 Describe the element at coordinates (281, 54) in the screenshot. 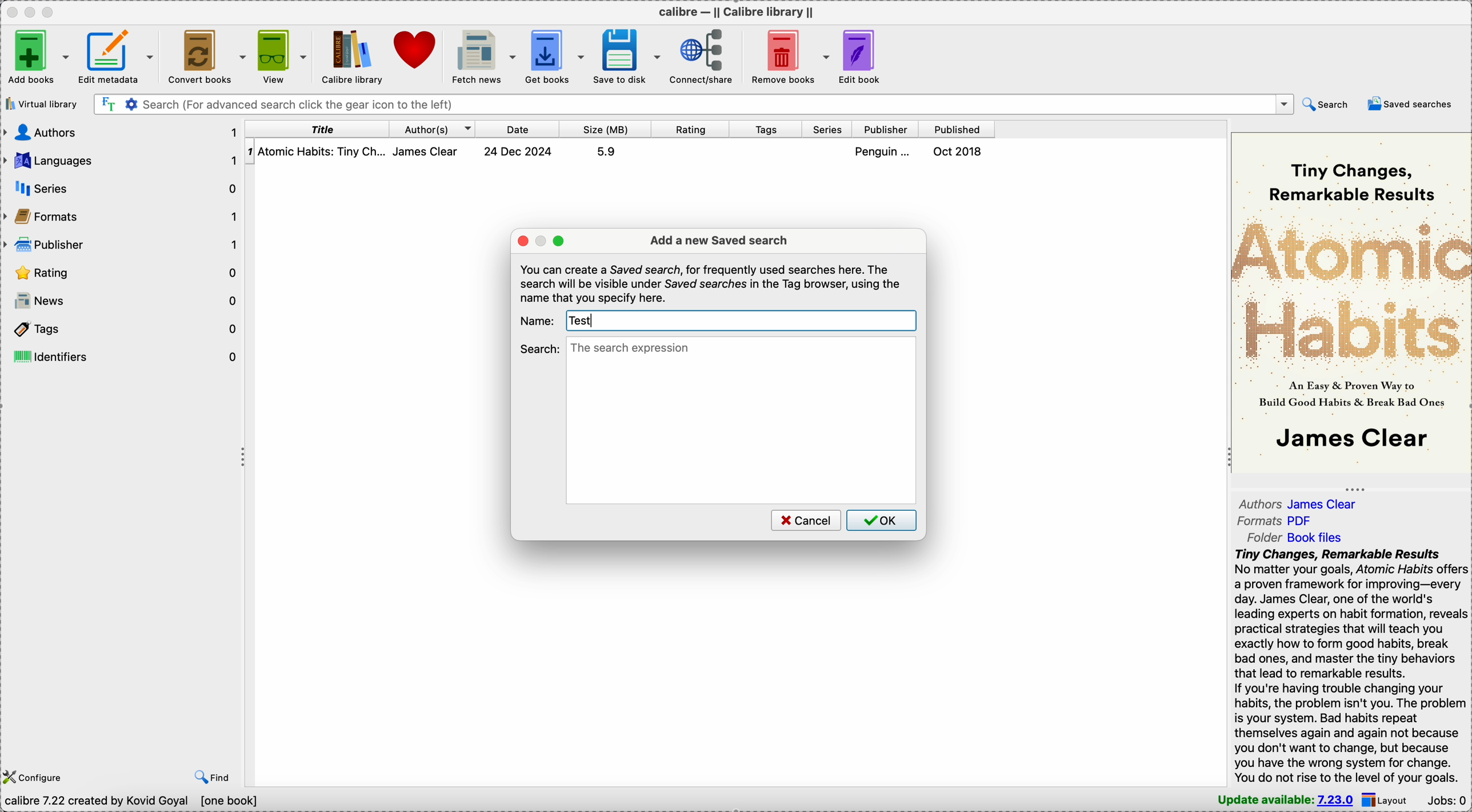

I see `view` at that location.